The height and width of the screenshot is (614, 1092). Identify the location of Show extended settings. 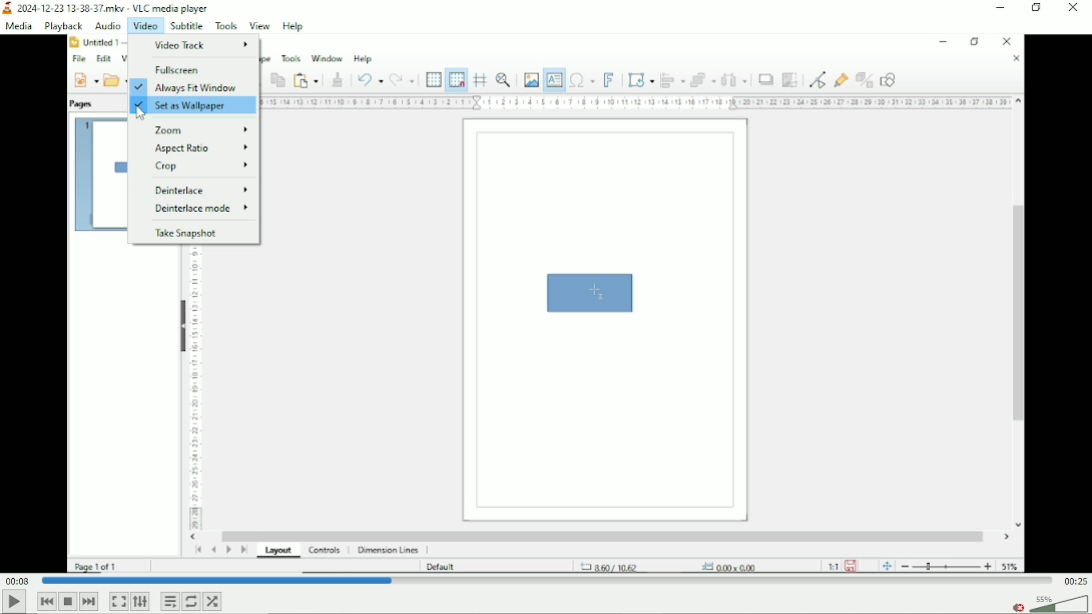
(141, 602).